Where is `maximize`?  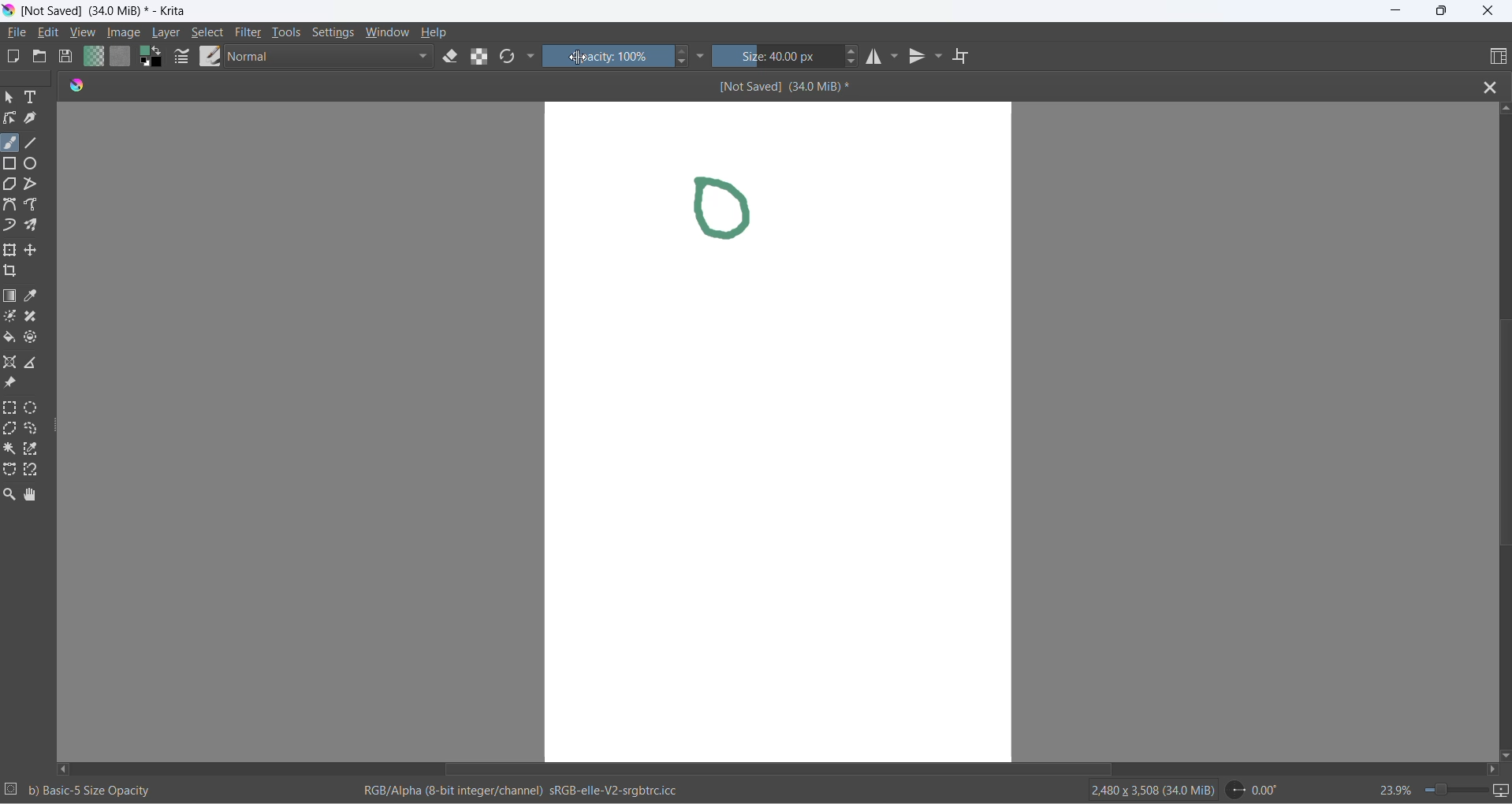 maximize is located at coordinates (1438, 11).